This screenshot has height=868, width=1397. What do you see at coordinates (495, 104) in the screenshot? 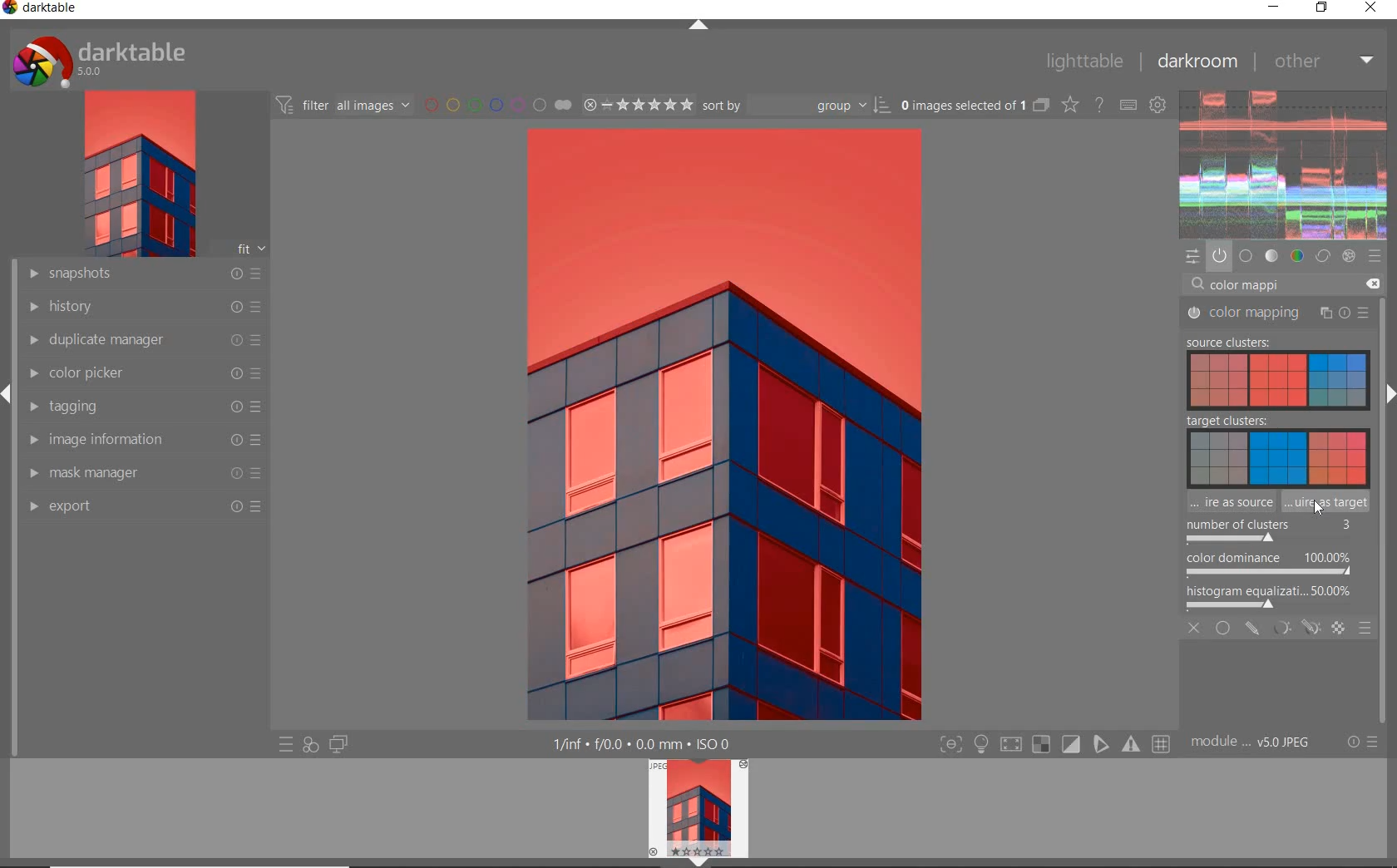
I see `filter by image color label` at bounding box center [495, 104].